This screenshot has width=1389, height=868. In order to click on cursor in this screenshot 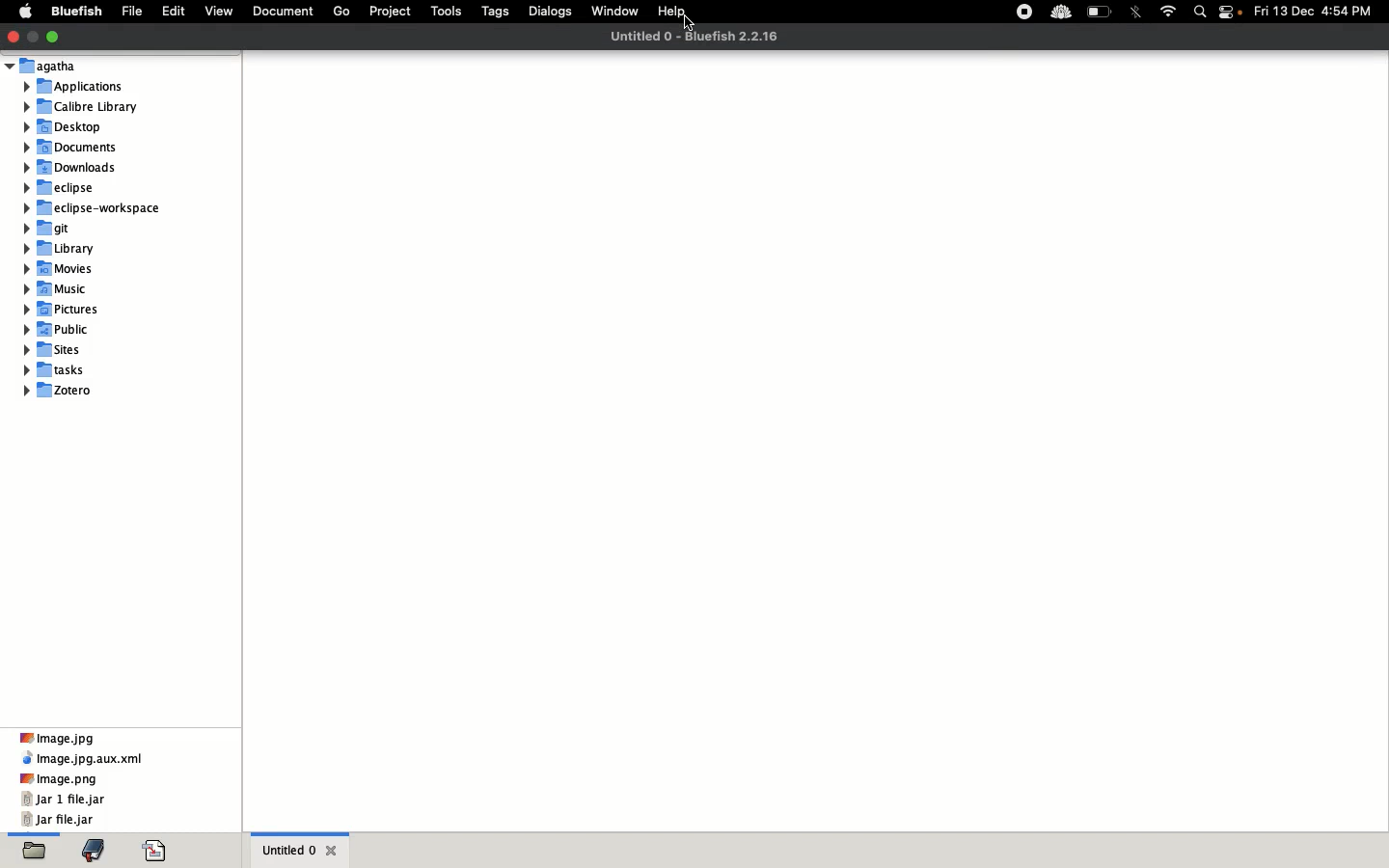, I will do `click(689, 22)`.